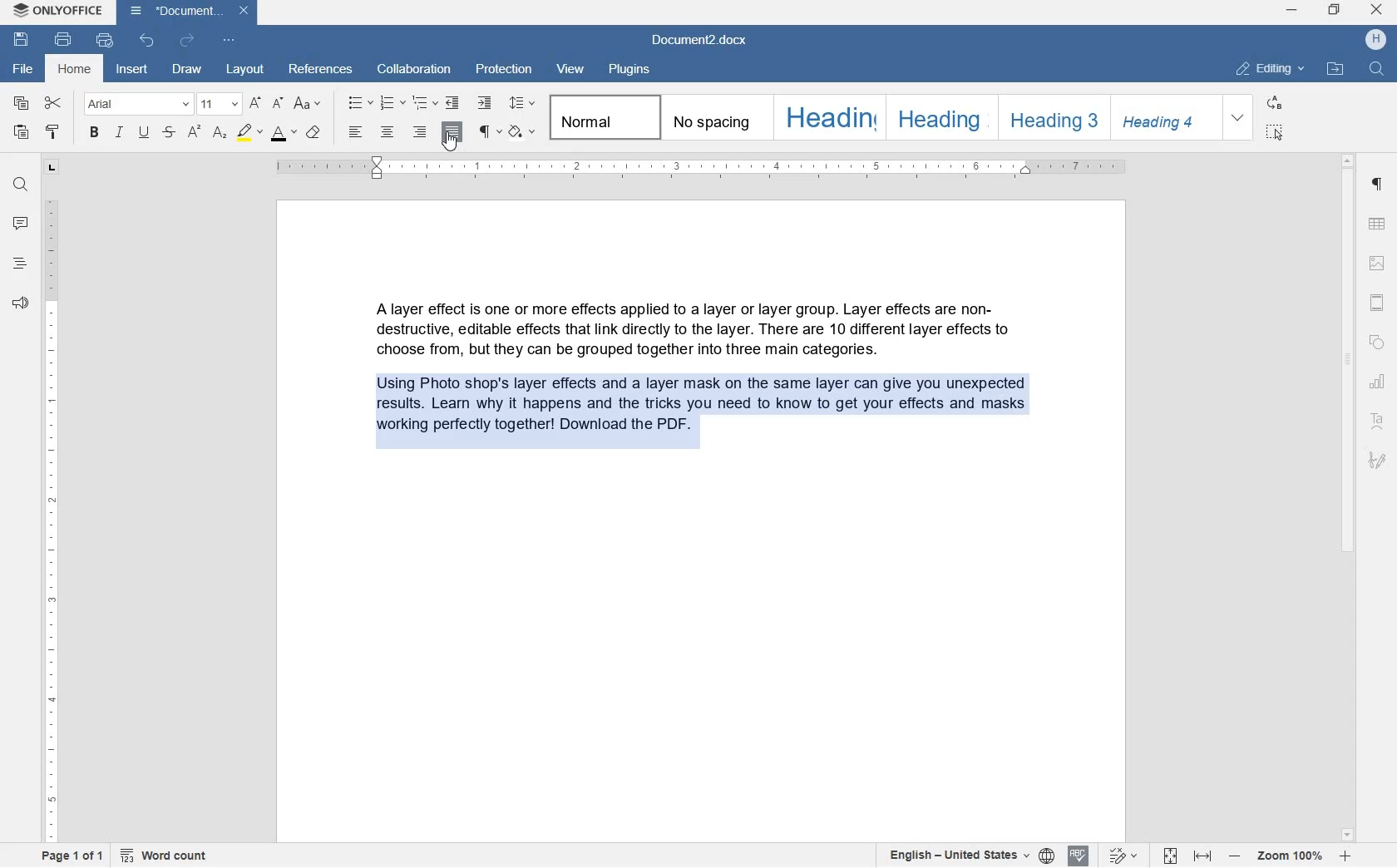 This screenshot has width=1397, height=868. Describe the element at coordinates (489, 133) in the screenshot. I see `PARAGRAPH SETTINGS` at that location.